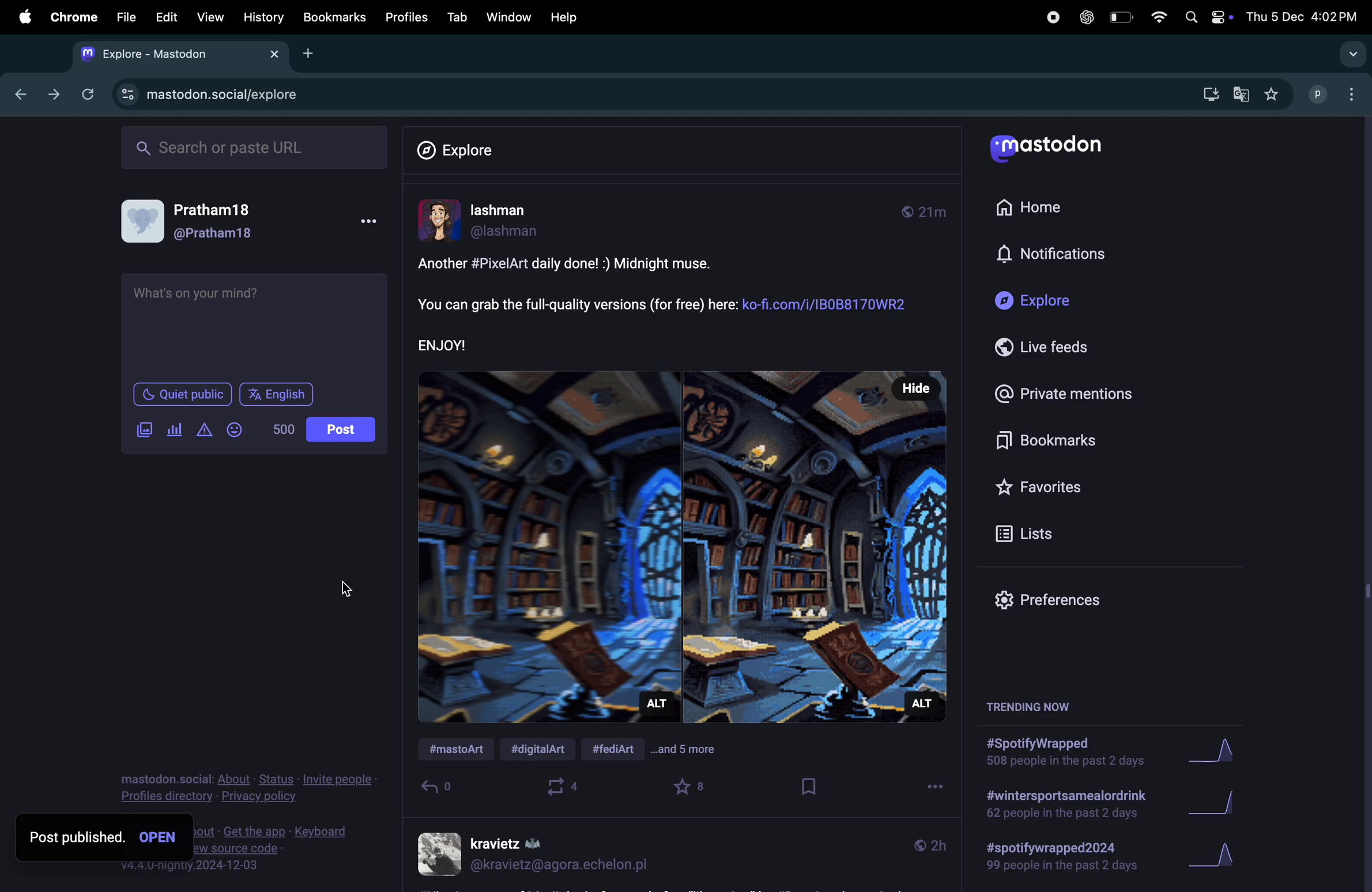  What do you see at coordinates (1093, 256) in the screenshot?
I see `notifications` at bounding box center [1093, 256].